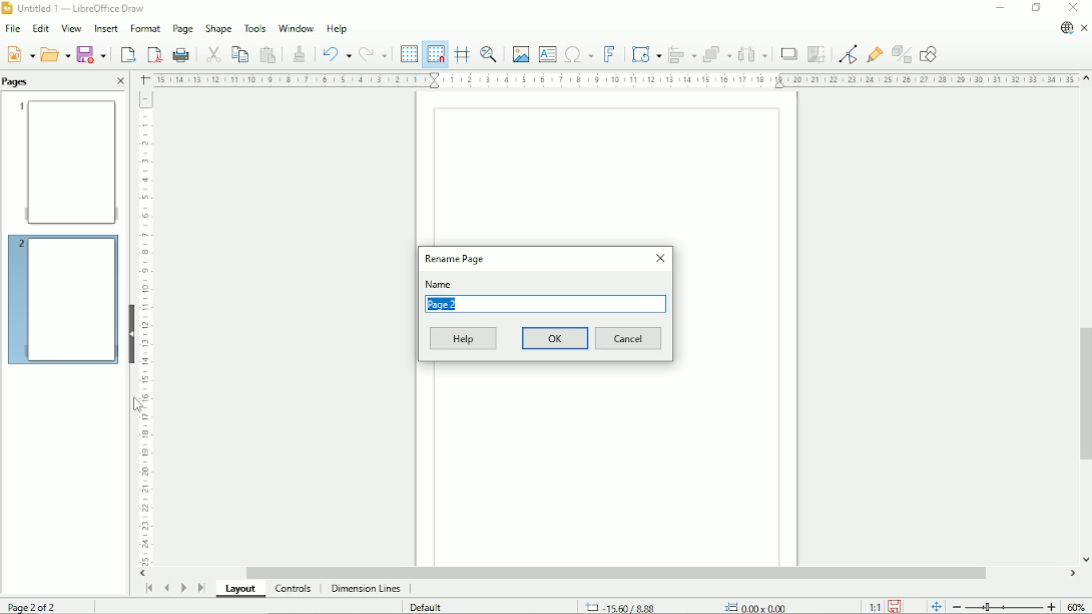 The width and height of the screenshot is (1092, 614). I want to click on Display grid, so click(408, 53).